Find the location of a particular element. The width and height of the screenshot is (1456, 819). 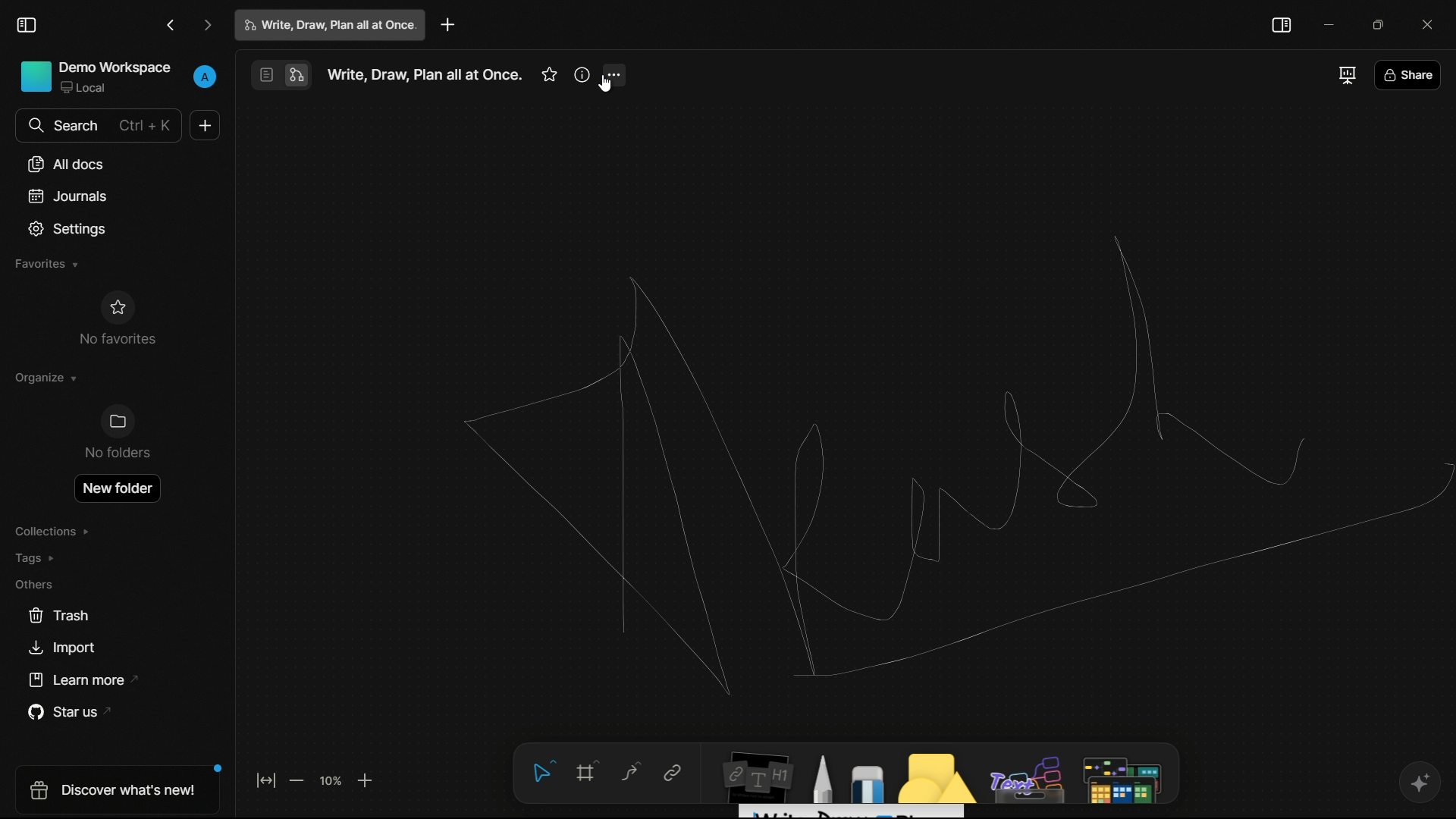

go back is located at coordinates (172, 27).